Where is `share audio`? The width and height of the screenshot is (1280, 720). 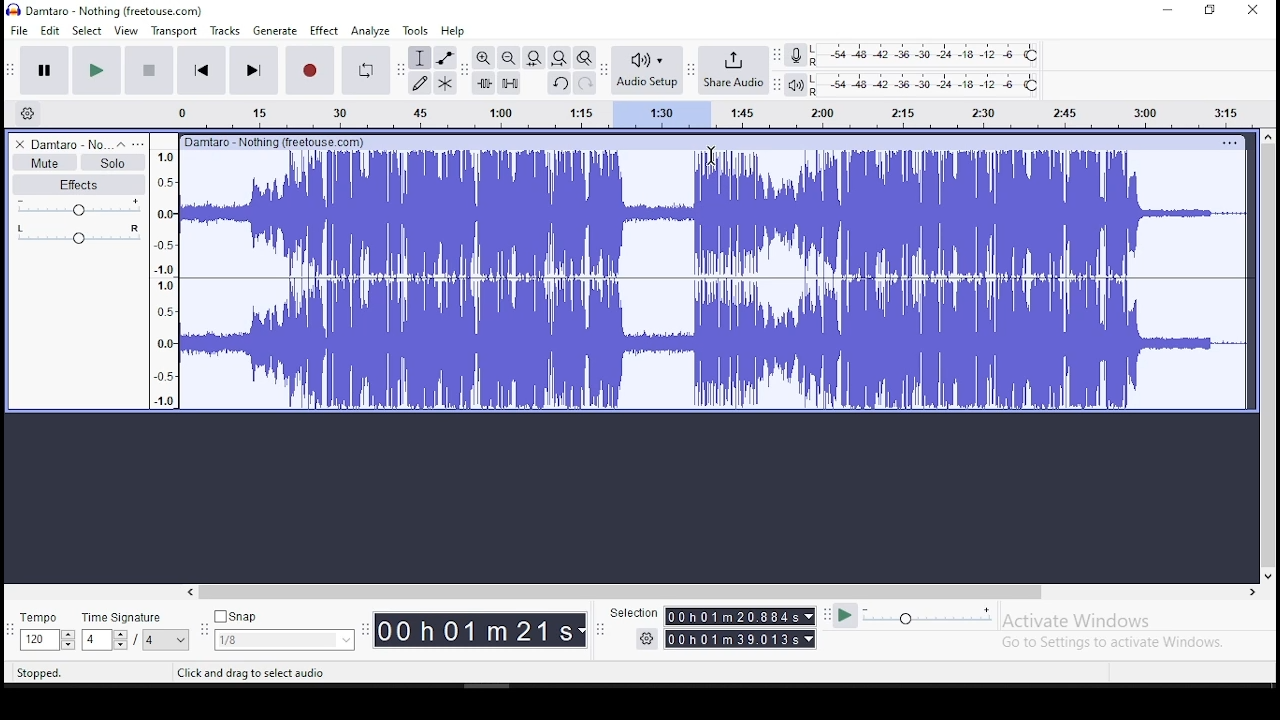 share audio is located at coordinates (735, 72).